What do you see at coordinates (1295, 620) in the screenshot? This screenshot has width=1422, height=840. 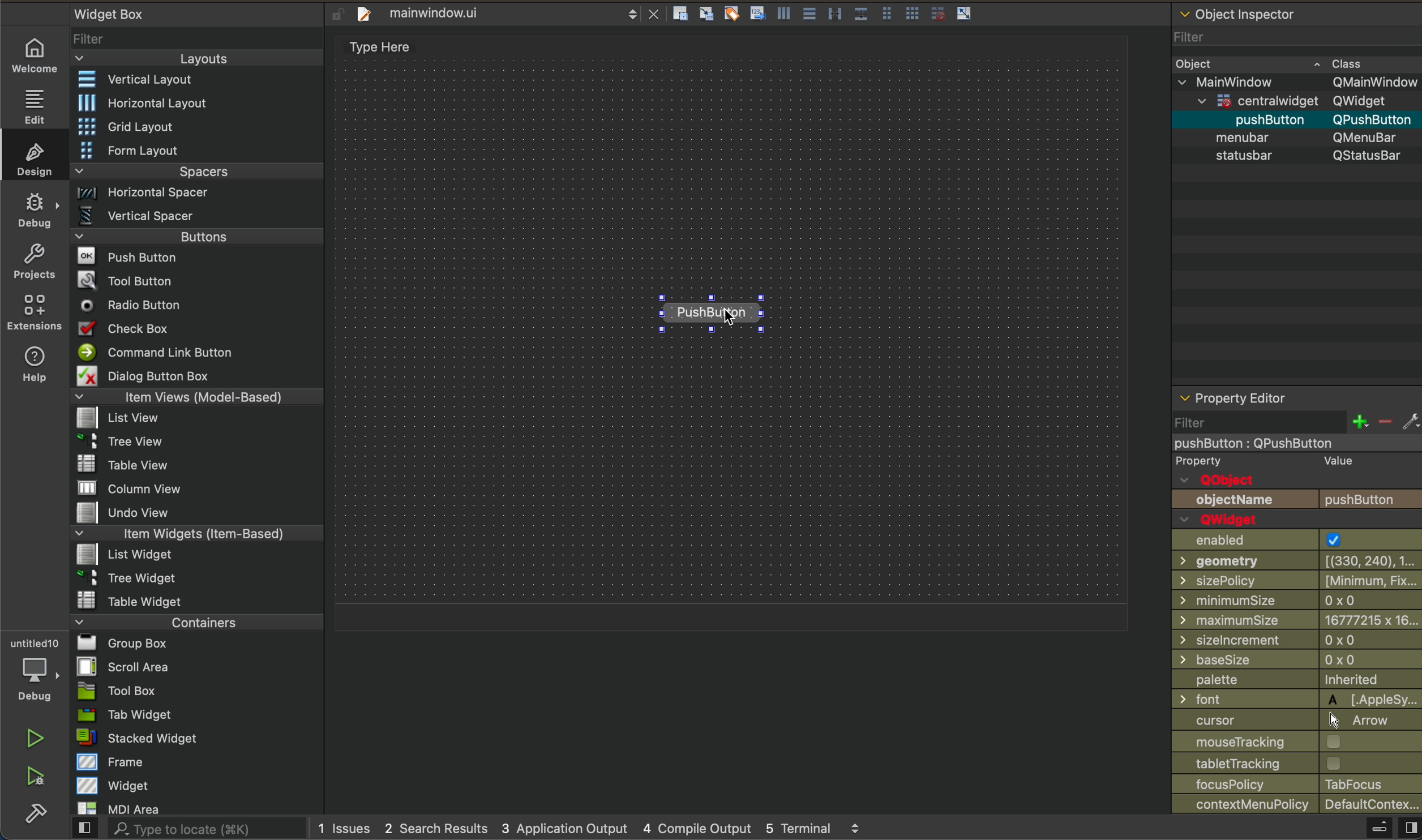 I see `` at bounding box center [1295, 620].